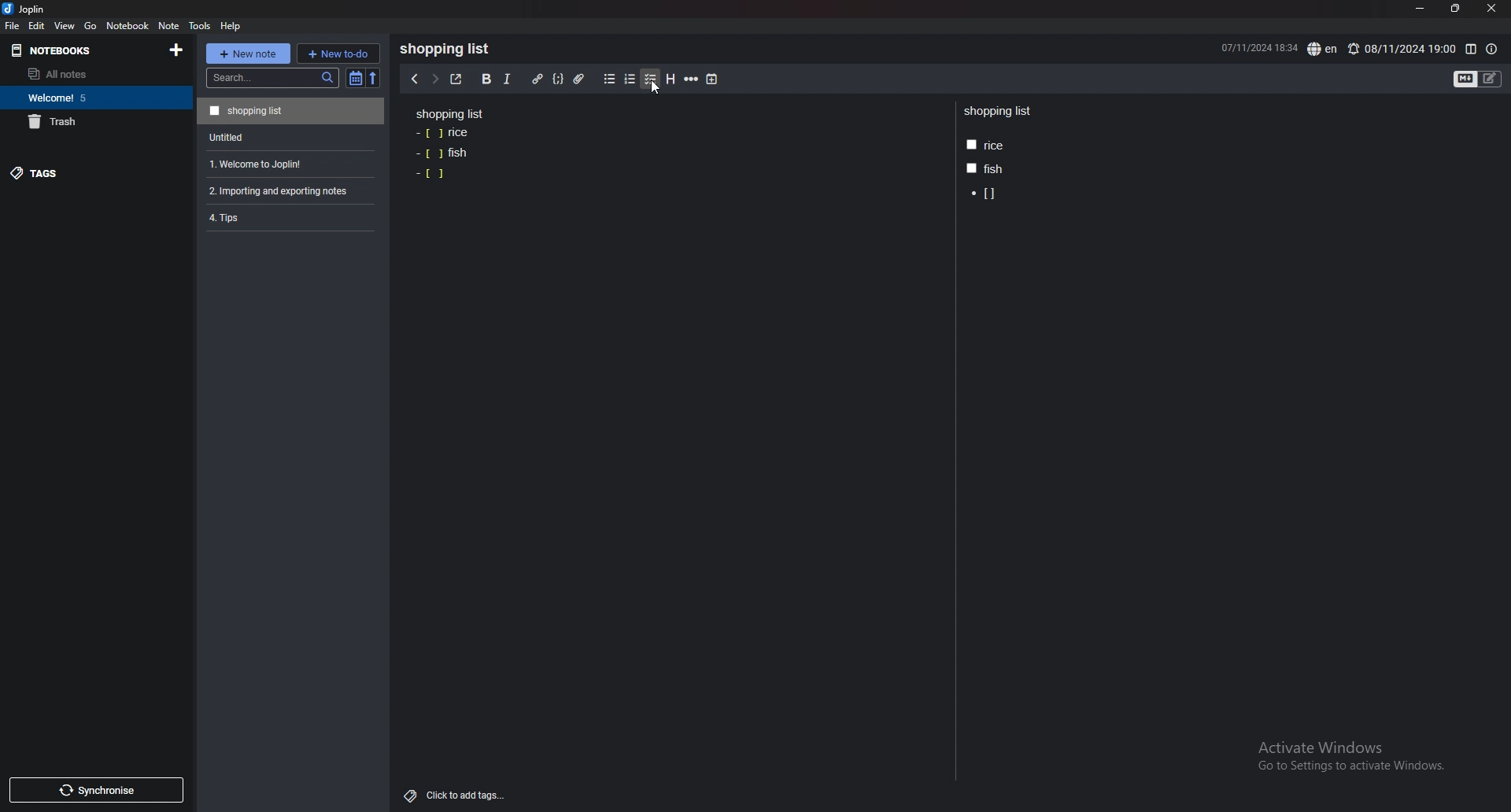  I want to click on notebook, so click(128, 25).